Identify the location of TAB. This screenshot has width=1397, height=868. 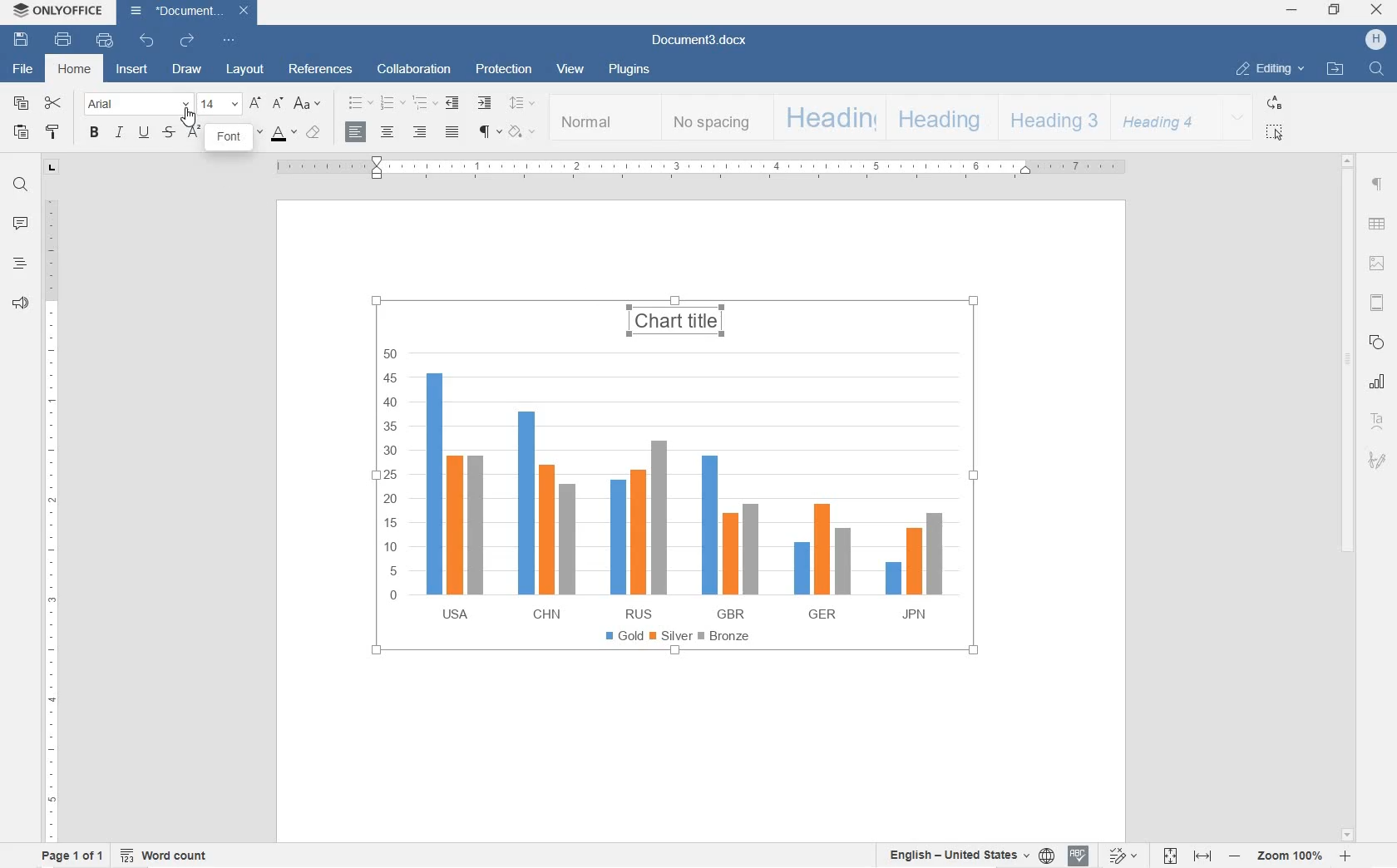
(52, 166).